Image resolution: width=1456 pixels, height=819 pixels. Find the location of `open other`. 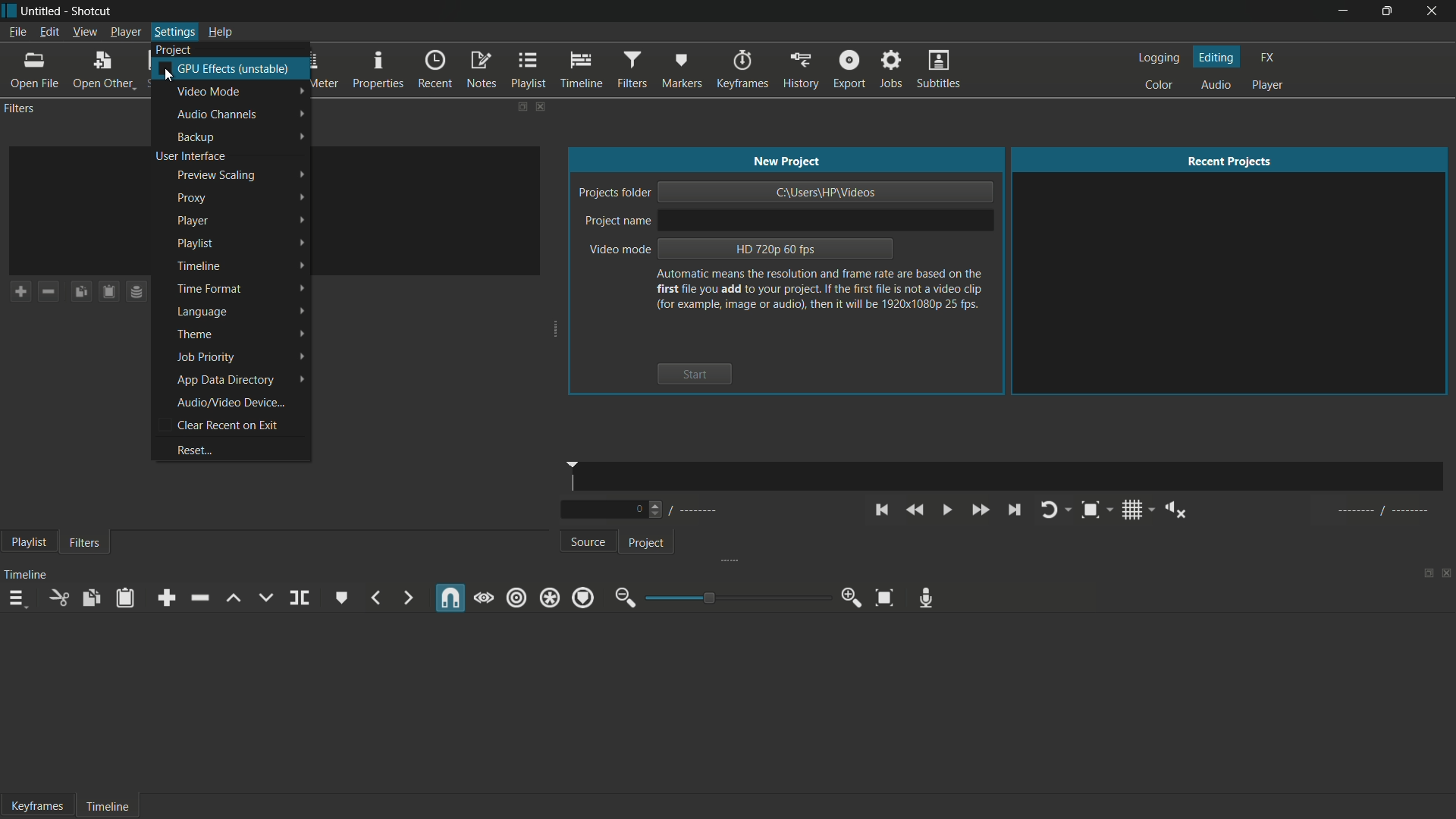

open other is located at coordinates (107, 71).